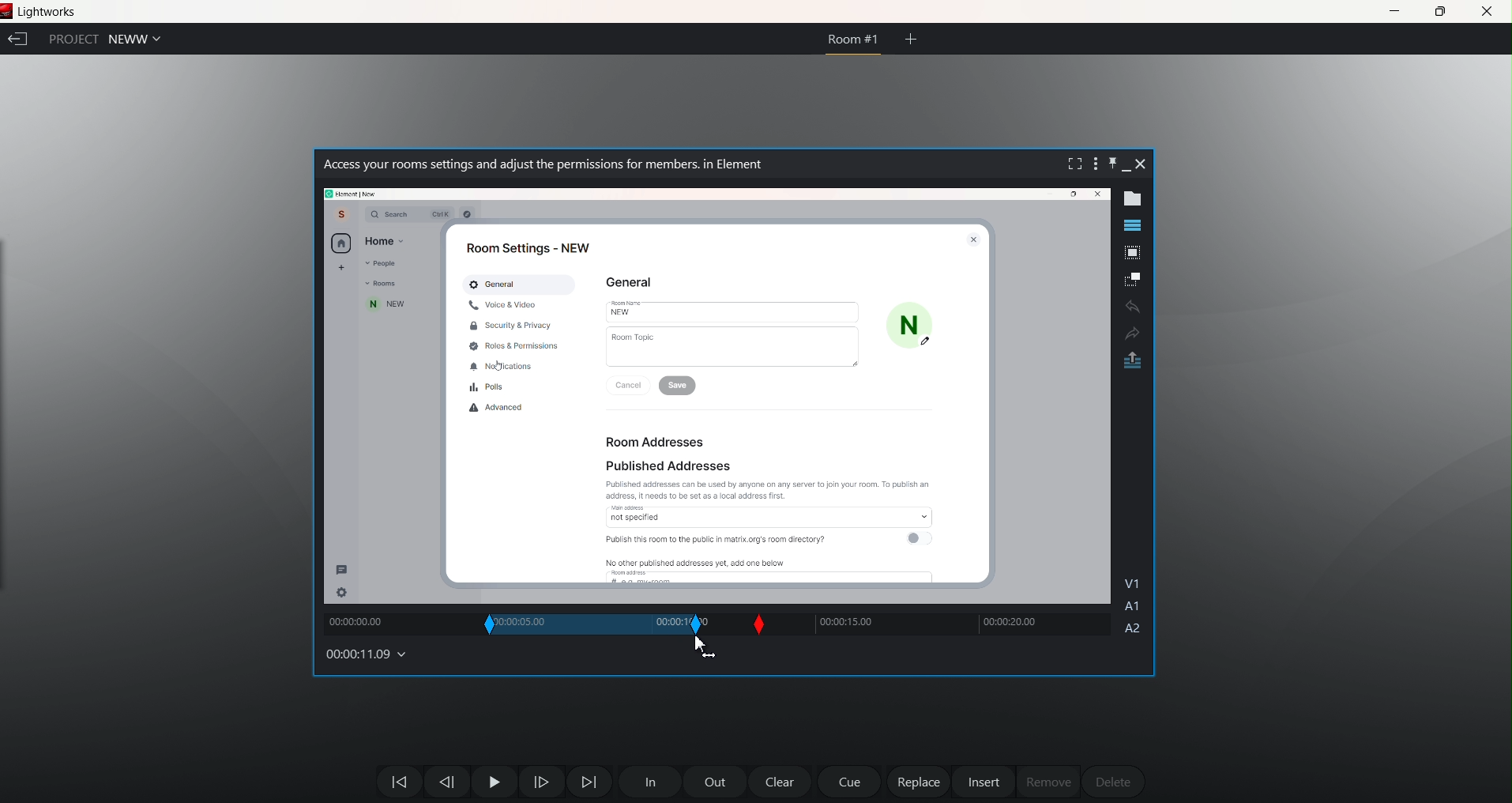  I want to click on create new room, so click(911, 37).